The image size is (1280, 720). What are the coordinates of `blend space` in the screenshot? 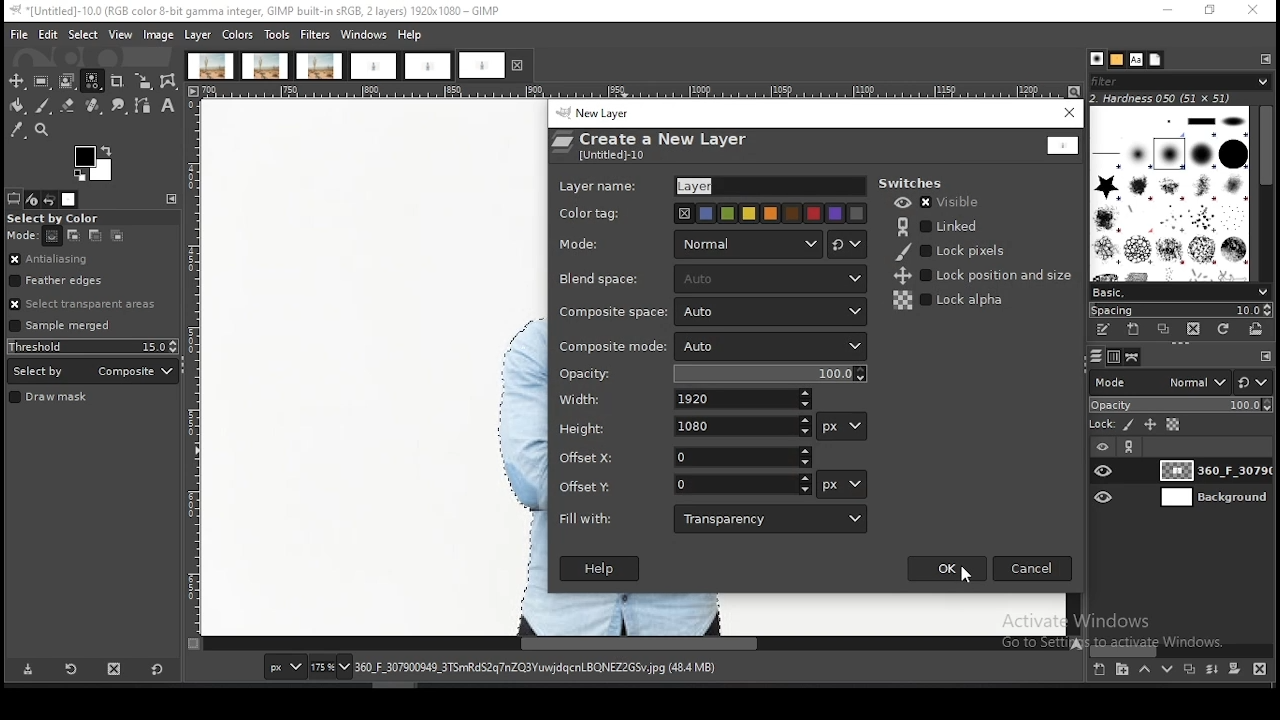 It's located at (599, 281).